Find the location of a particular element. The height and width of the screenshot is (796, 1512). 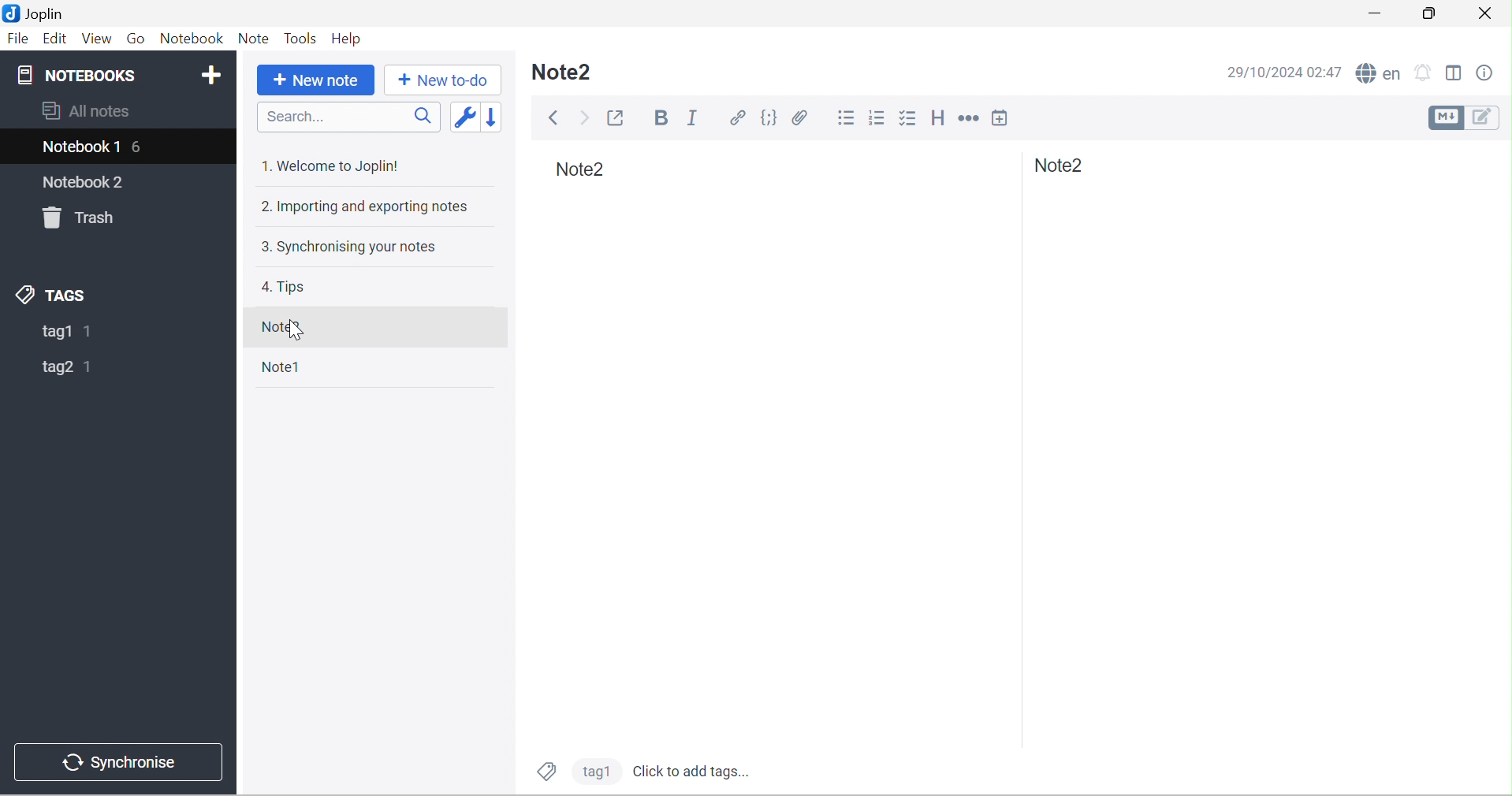

tag2 is located at coordinates (598, 774).